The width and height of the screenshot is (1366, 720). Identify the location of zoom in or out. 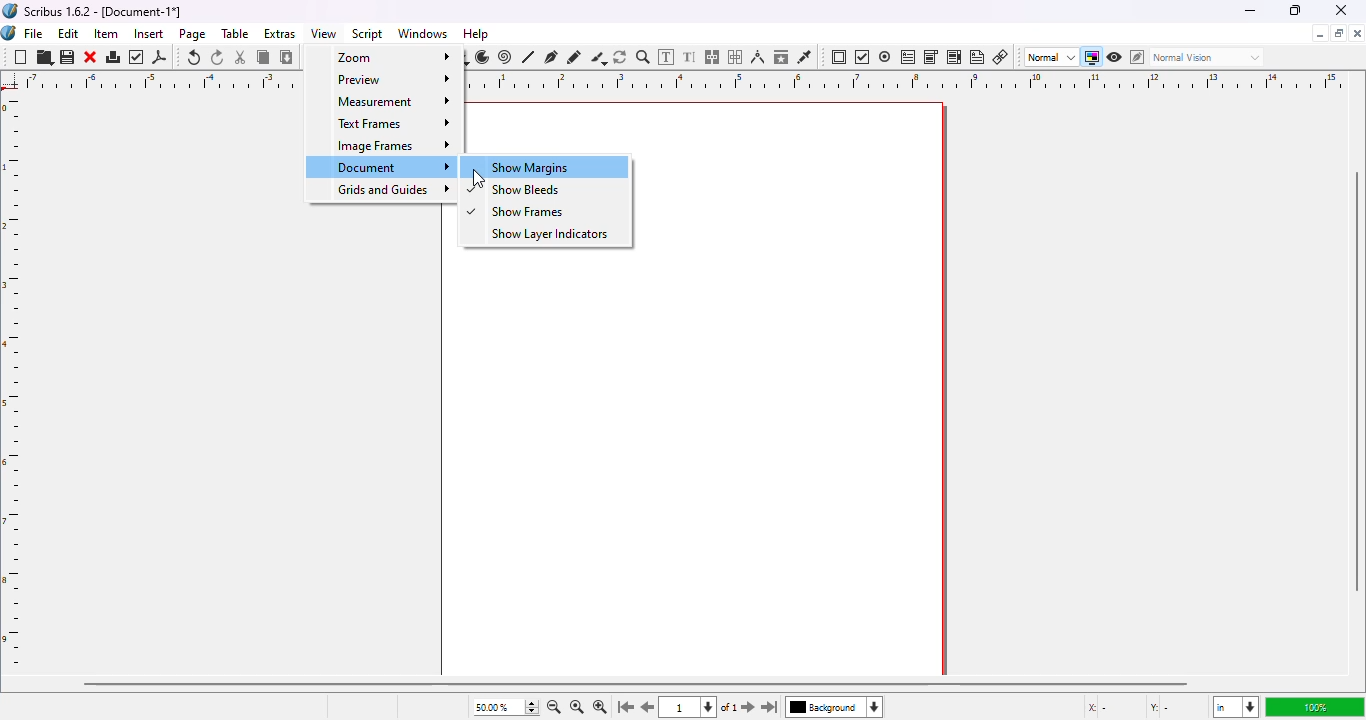
(643, 57).